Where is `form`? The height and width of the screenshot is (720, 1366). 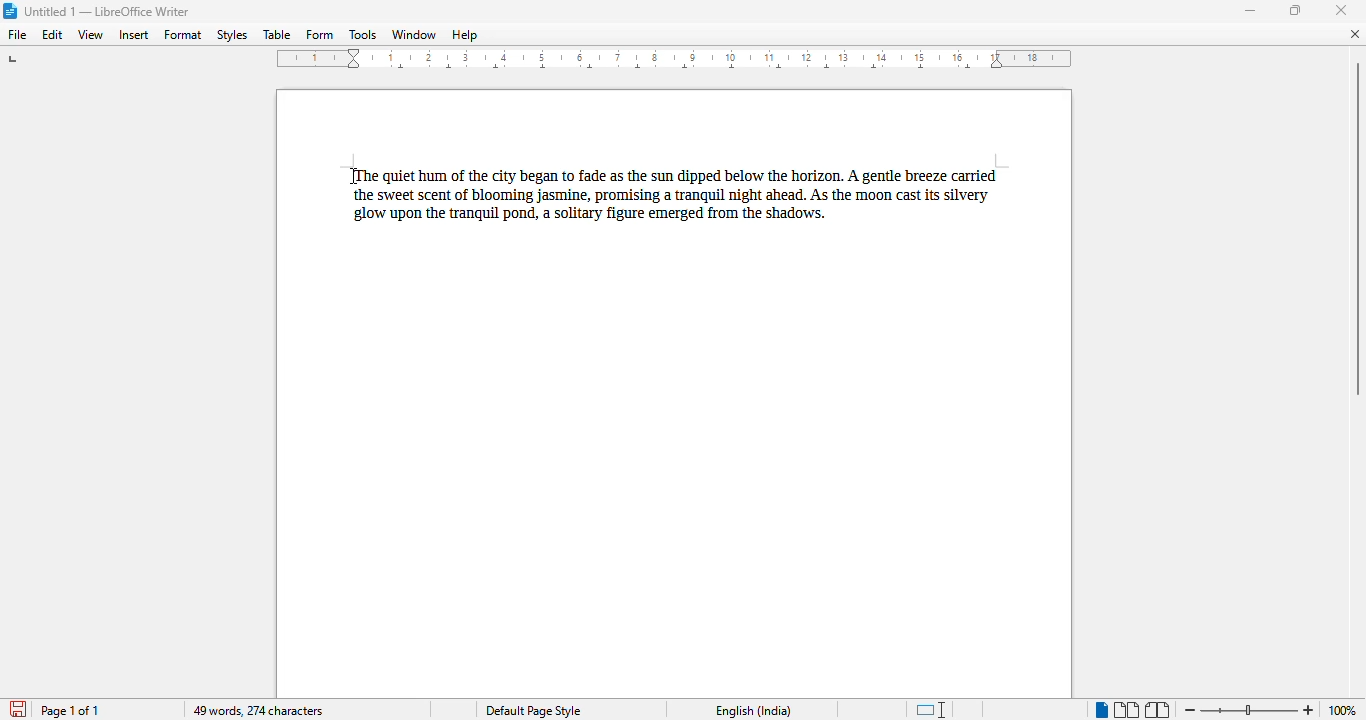
form is located at coordinates (318, 32).